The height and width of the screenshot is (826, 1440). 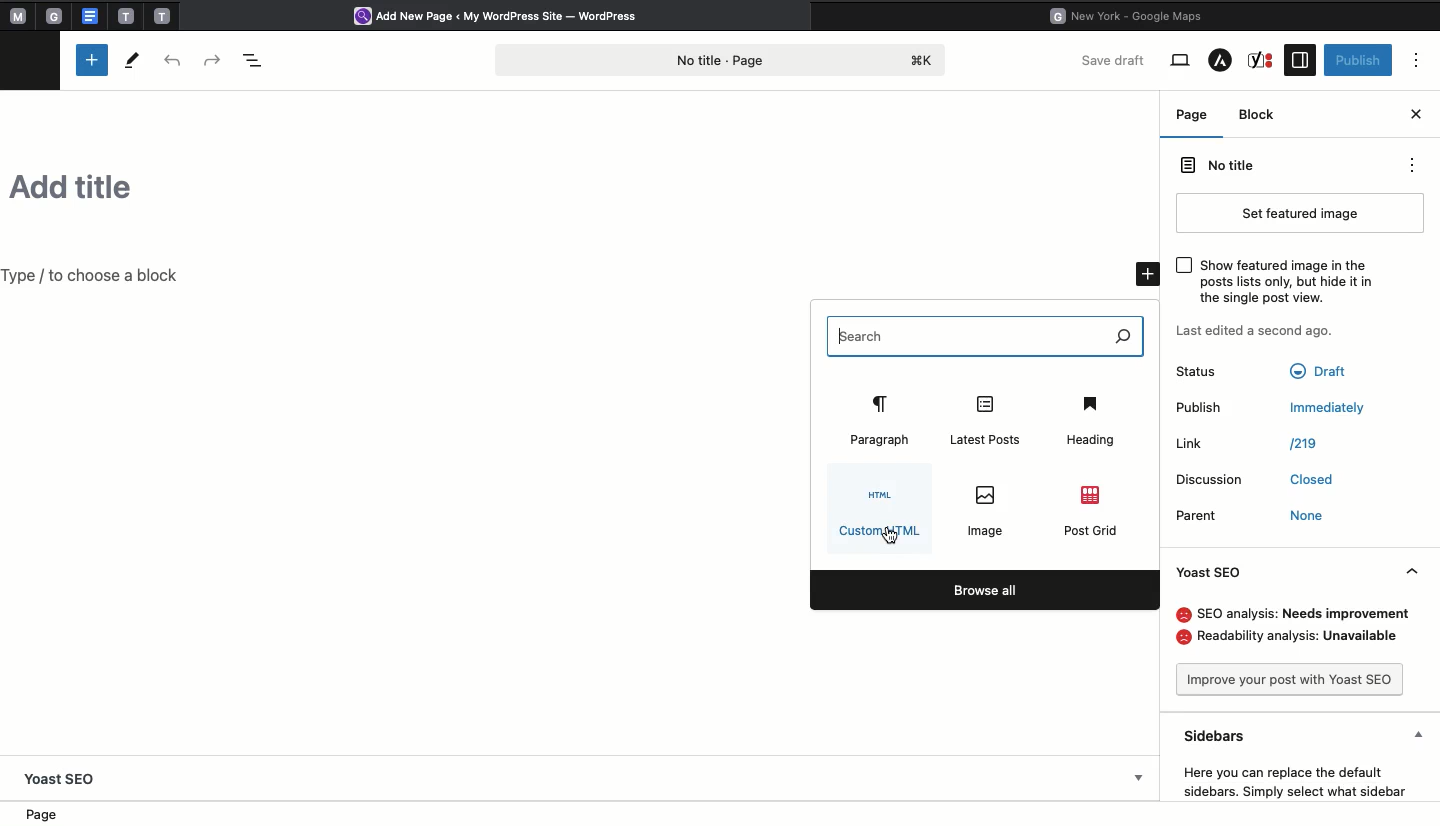 I want to click on yoast seo, so click(x=62, y=779).